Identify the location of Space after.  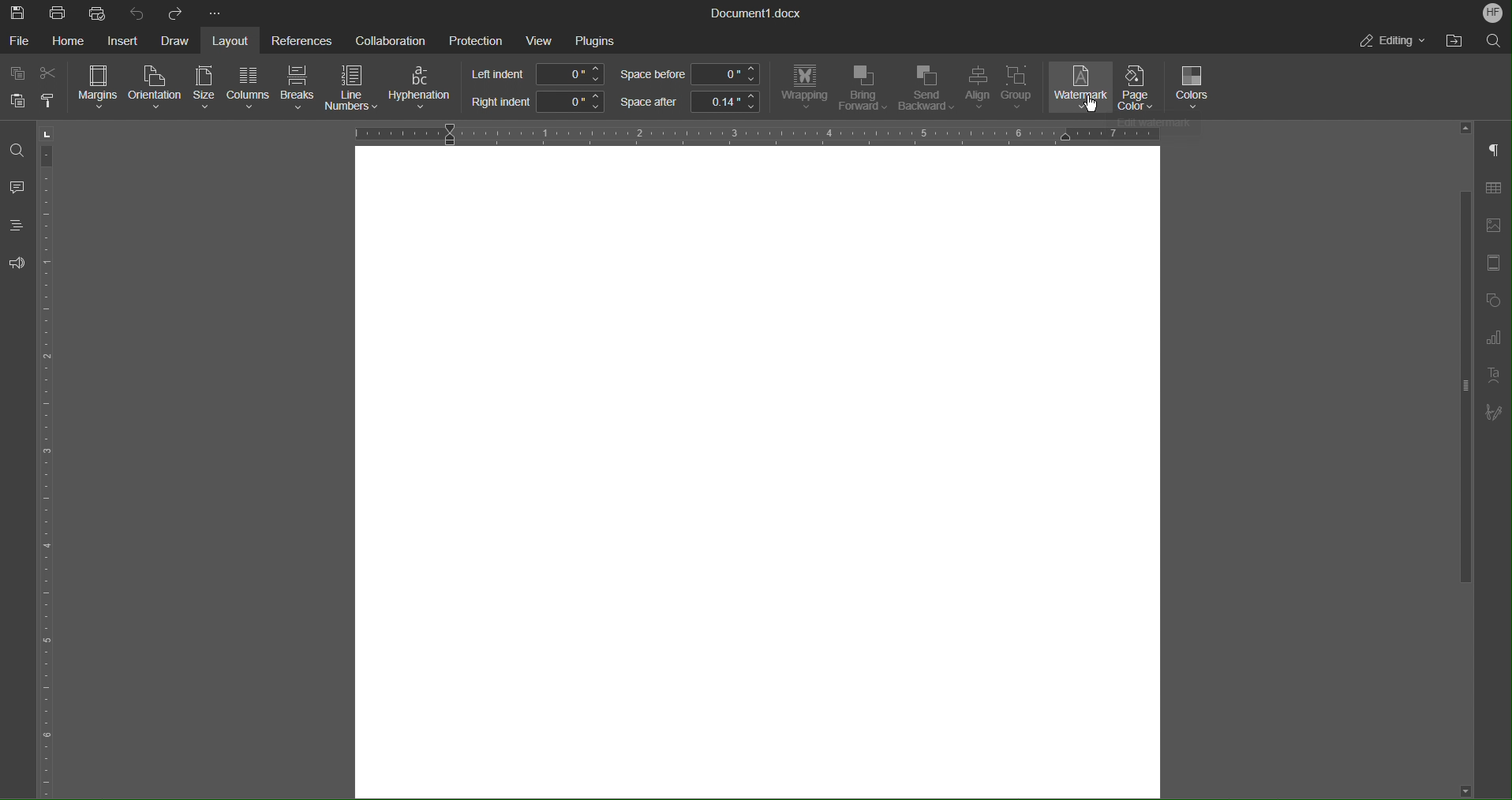
(689, 102).